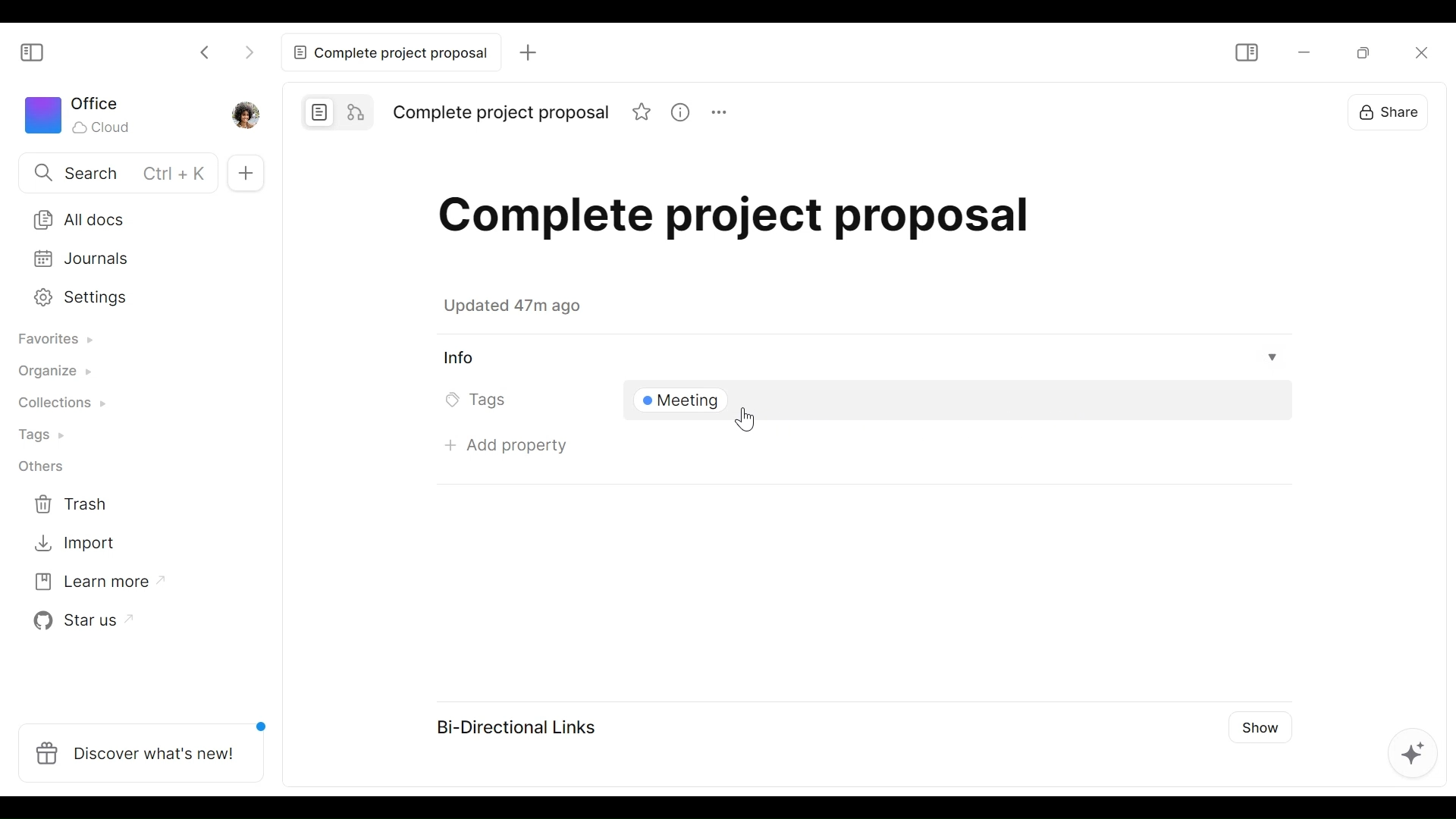 This screenshot has height=819, width=1456. Describe the element at coordinates (758, 224) in the screenshot. I see `Title` at that location.